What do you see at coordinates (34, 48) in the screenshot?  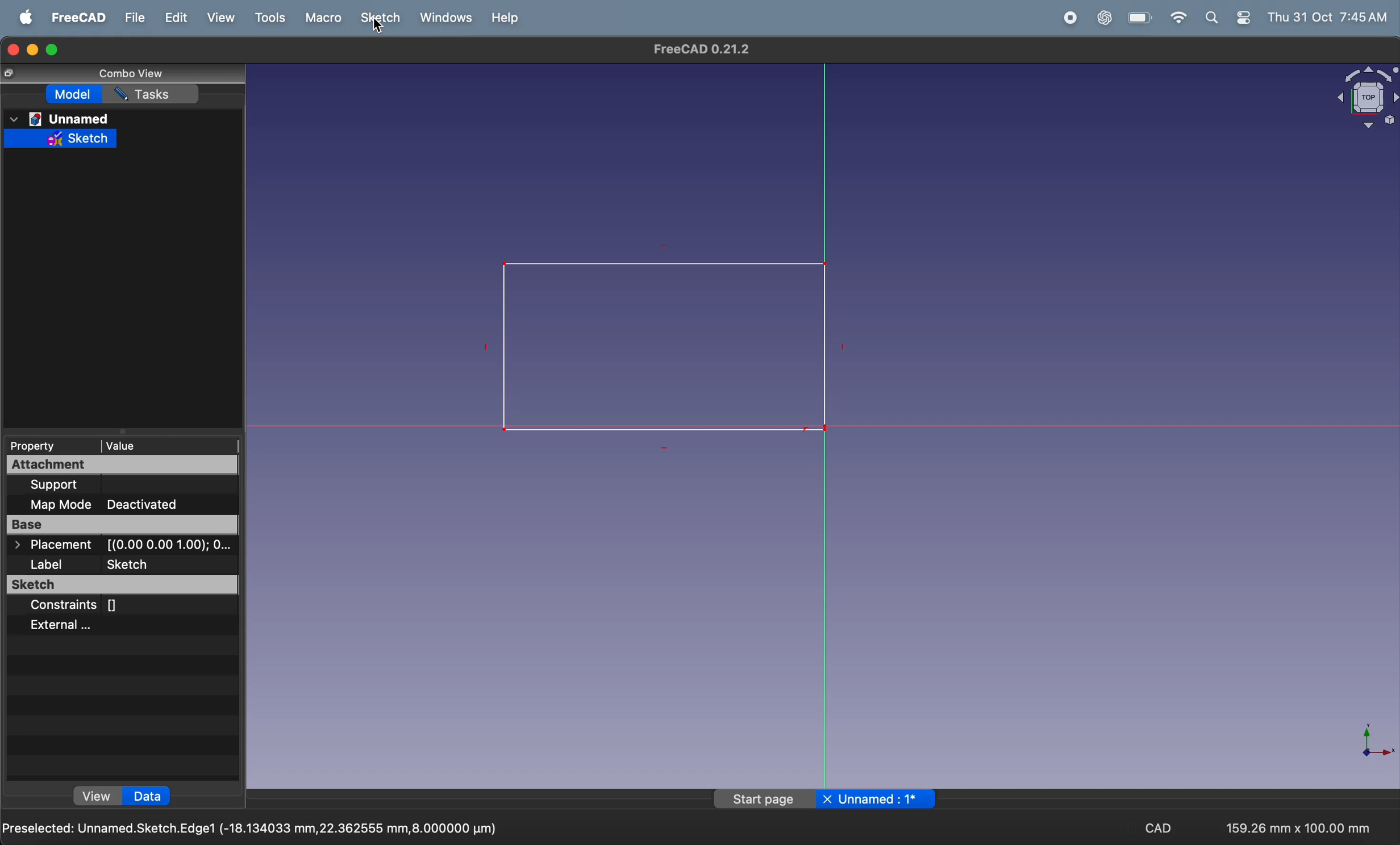 I see `minimize` at bounding box center [34, 48].